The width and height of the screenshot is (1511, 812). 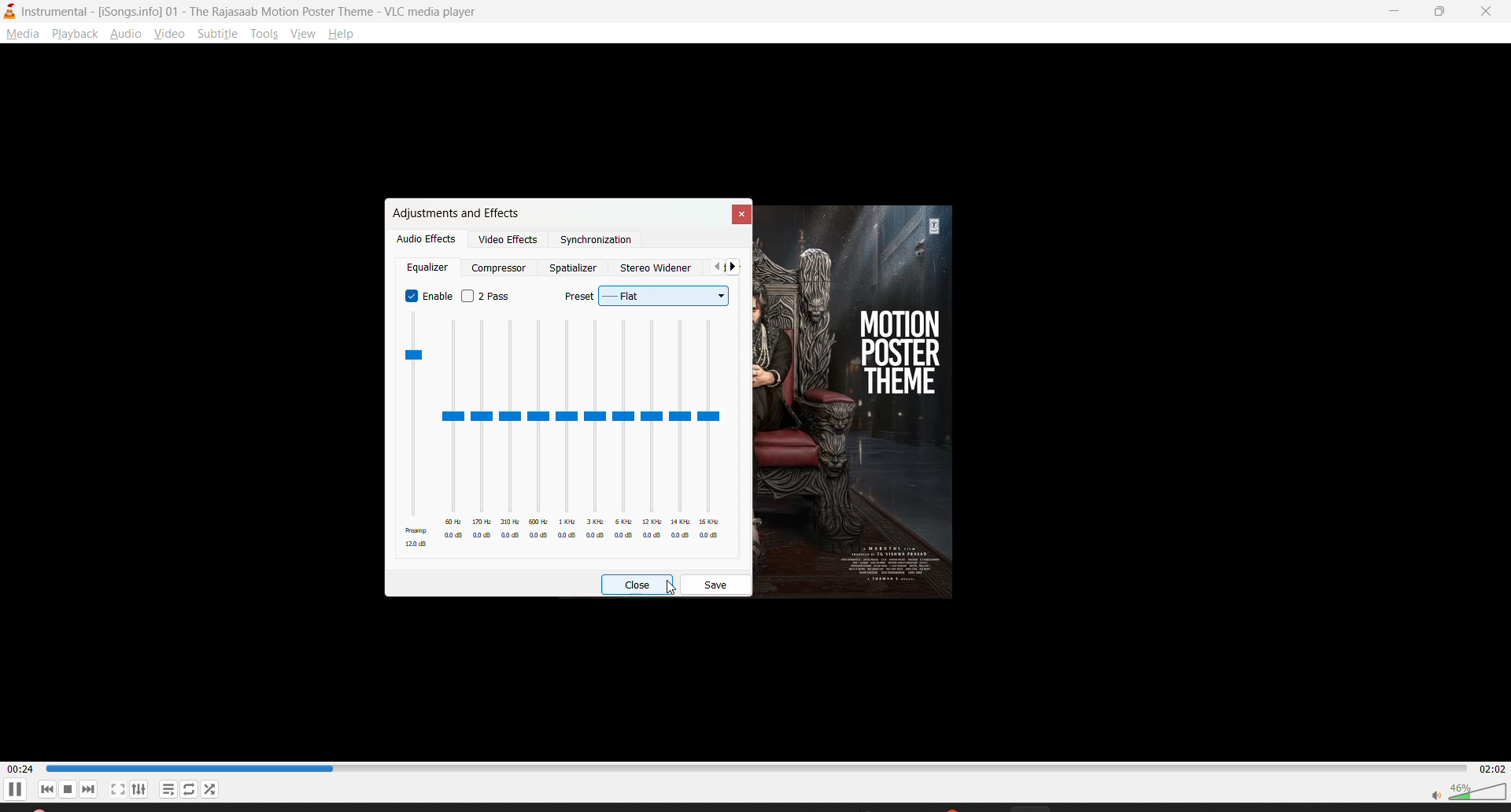 What do you see at coordinates (671, 588) in the screenshot?
I see `Cursor` at bounding box center [671, 588].